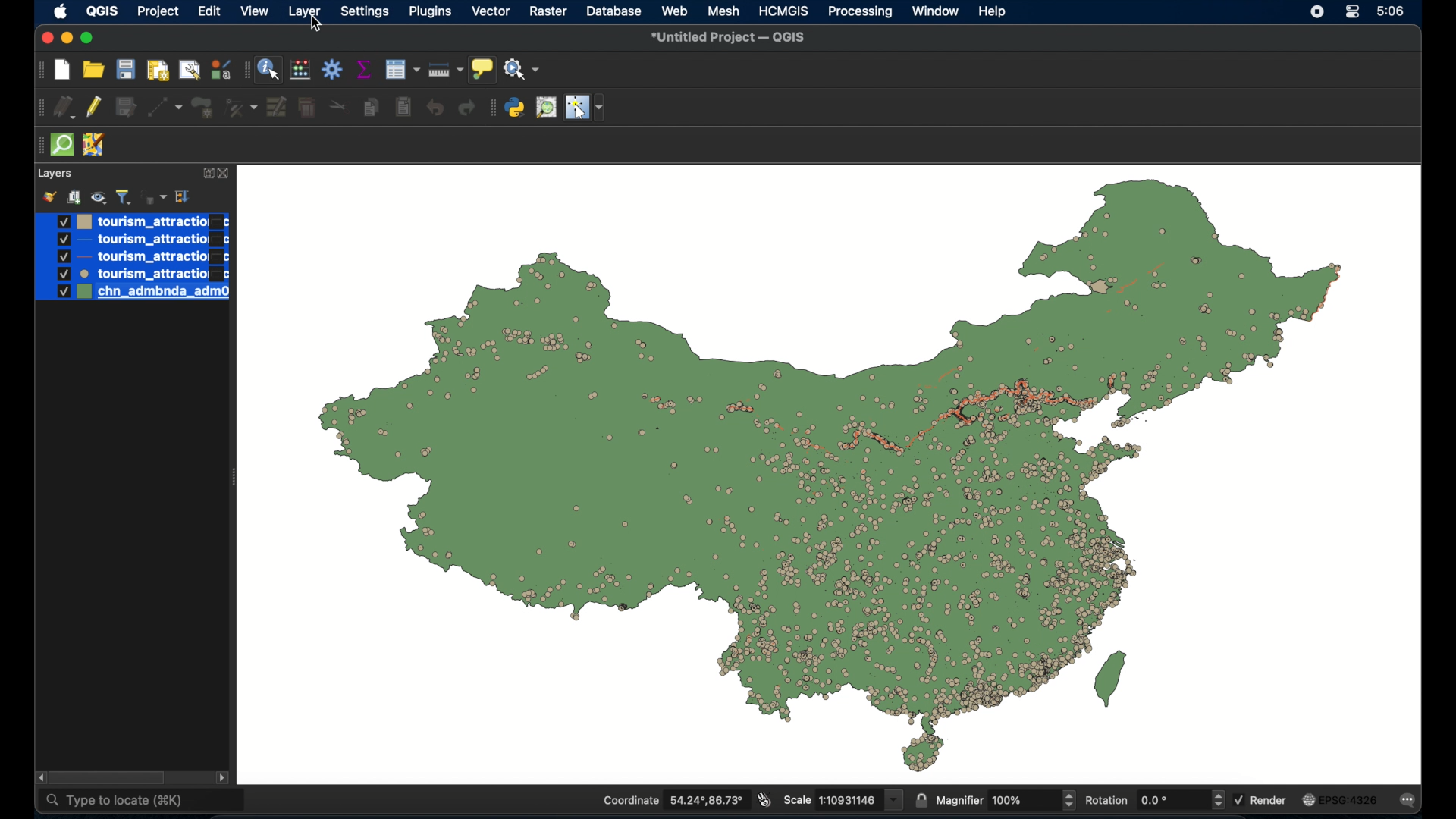 The image size is (1456, 819). What do you see at coordinates (38, 108) in the screenshot?
I see `drag handle` at bounding box center [38, 108].